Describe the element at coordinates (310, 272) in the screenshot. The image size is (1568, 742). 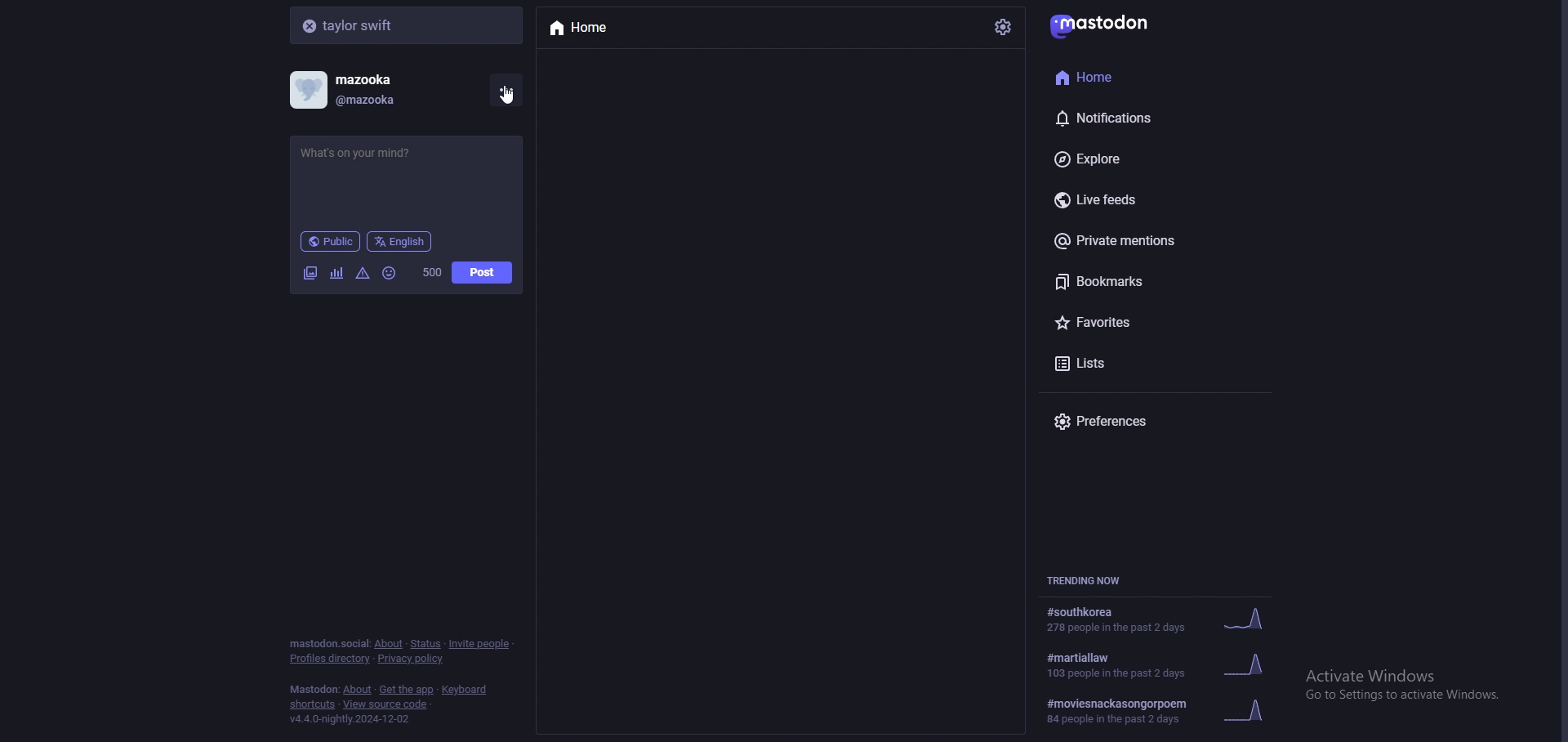
I see `images` at that location.